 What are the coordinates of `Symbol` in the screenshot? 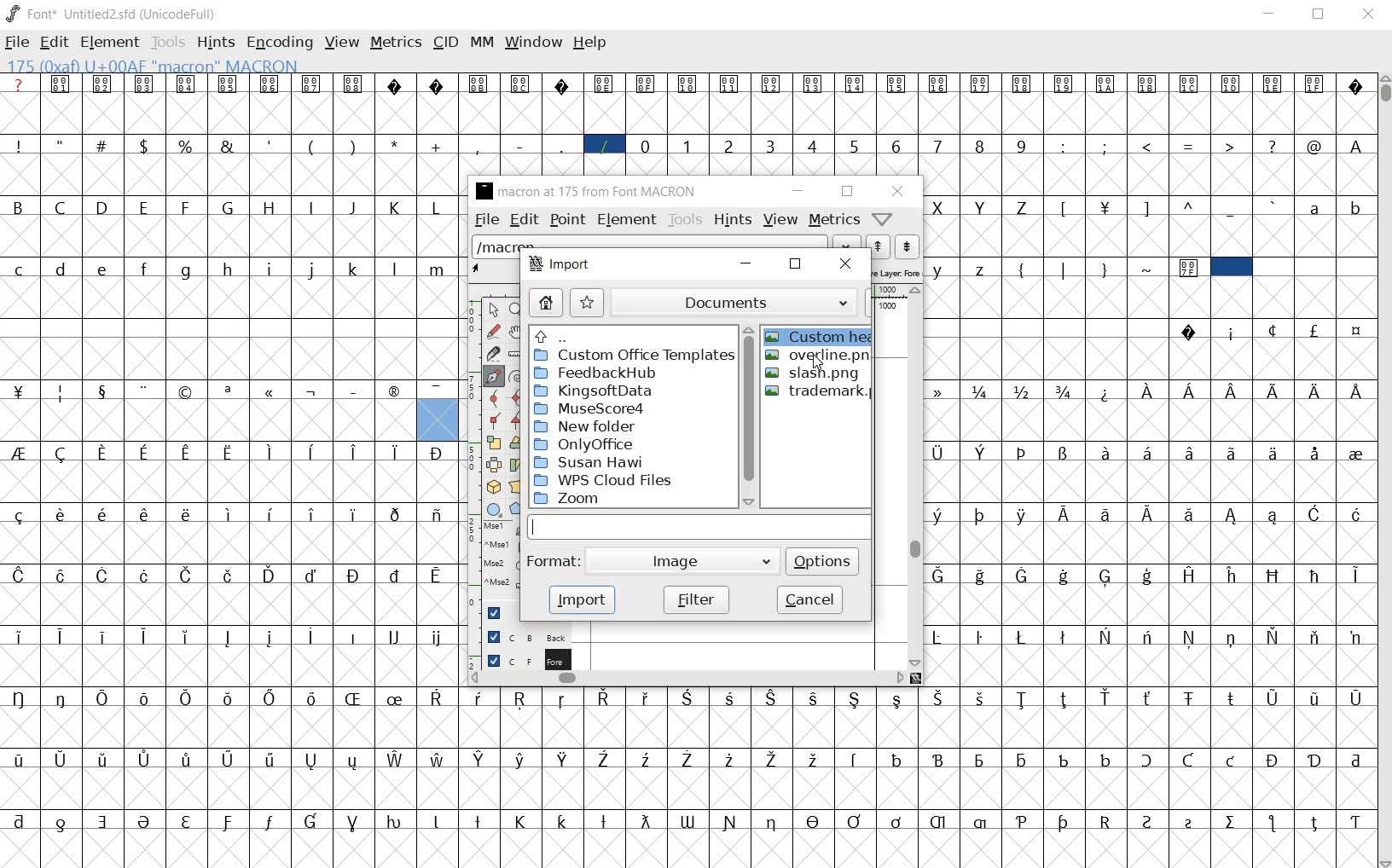 It's located at (146, 758).